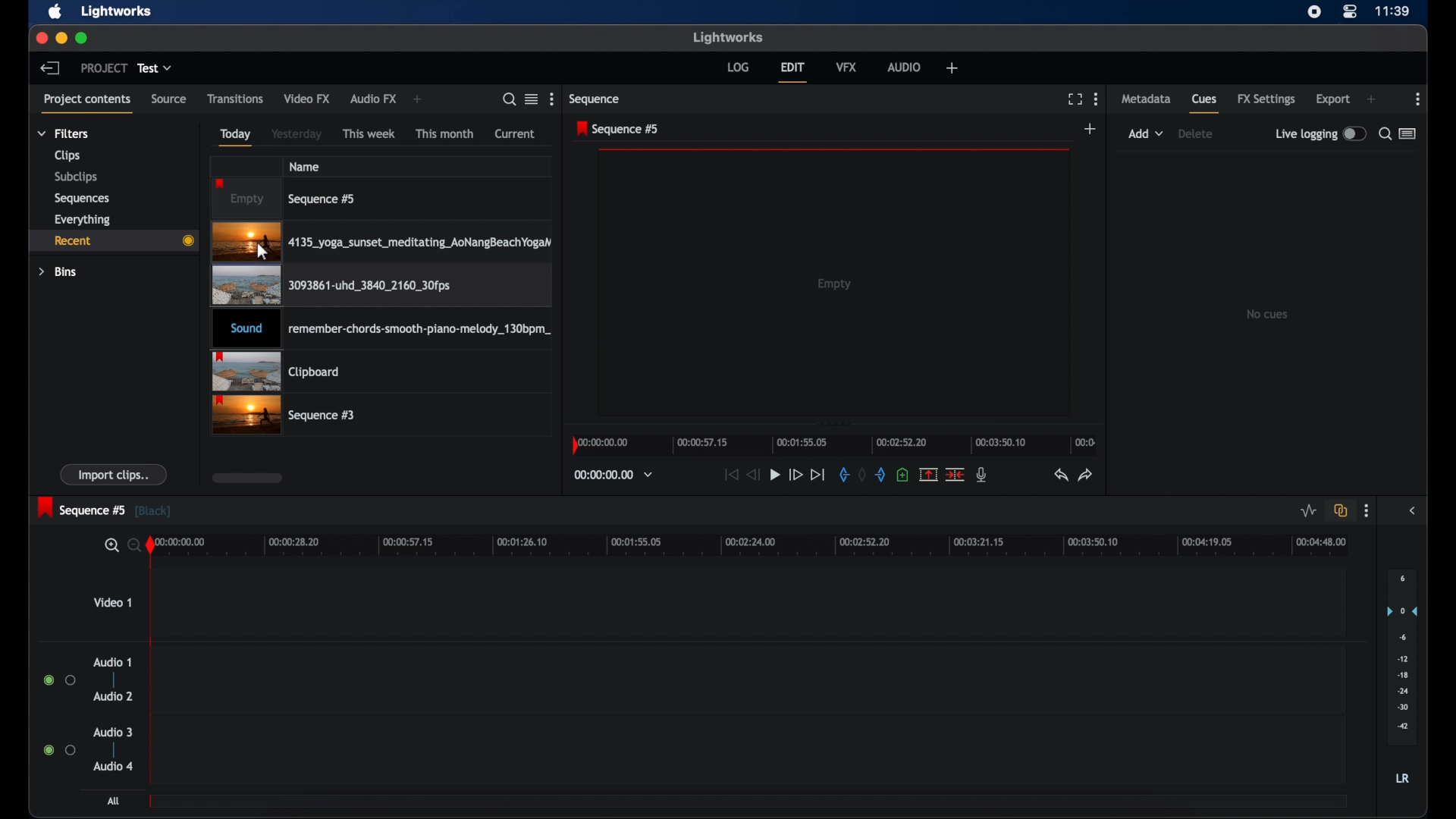  What do you see at coordinates (754, 474) in the screenshot?
I see `rewind` at bounding box center [754, 474].